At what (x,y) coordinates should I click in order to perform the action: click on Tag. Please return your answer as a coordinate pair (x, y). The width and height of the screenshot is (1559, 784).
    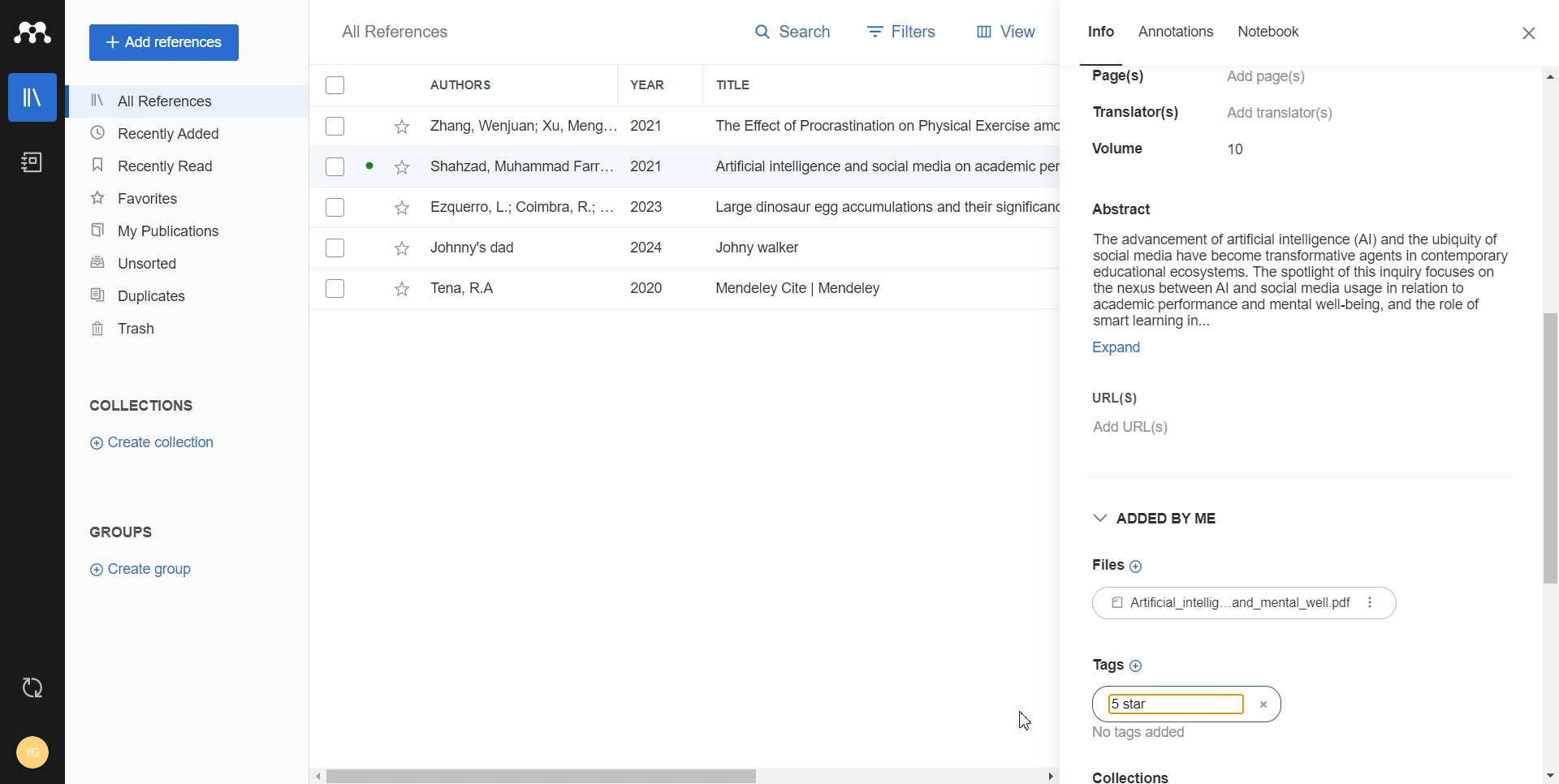
    Looking at the image, I should click on (1121, 663).